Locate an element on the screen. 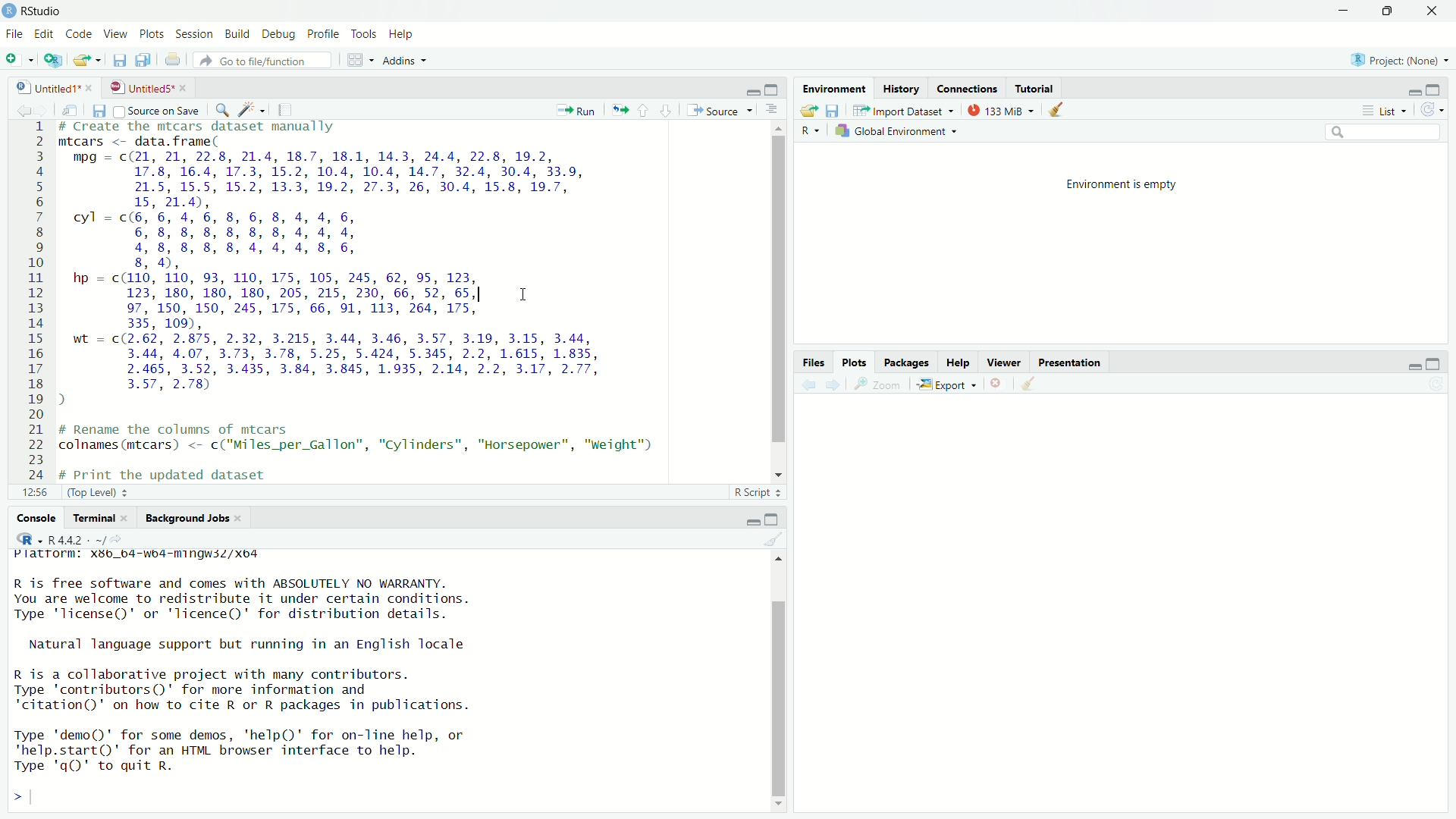  1 # Create the mtcars dataset manually

2 mtcars <- data.frame(

BE mpg = c(21, 21, 22.8, 21.4, 18.7, 18.1, 14.3, 24.4, 22.8, 19.2,

4 17.8, 16.4, 17.3, 15.2, 10.4, 10.4, 14.7, 32.4, 30.4, 33.9,
5 21.5, 15.5, 15.2, 13.3, 19.2, 27.3, 26, 30.4, 15.8, 19.7,

6 15, 21.4),

7 cyl = c(6, 6, 4, 6, 8, 6, 8, 4, 4, 6,

8 6, 8, 8, 8, 8, 8, 8, 4, 4, 4,

9 4,8,8,8,8,4,4,4,8,6,

10 8, 4),

11 hp = c(110, 110, 93, 110, 175, 105, 245, 62, 95, 123,

12 123, 180, 180, 180, 205, 215, 230, 66, 52, 65, I

13 97, 150, 150, 245, 175, 66, 91, 113, 264, 175,

14 335, 109),

15 wt = c(2.62, 2.875, 2.32, 3.215, 3.44, 3.46, 3.57, 3.19, 3.15, 3.44,
16 3.44, 4.07, 3.73, 3.78, 5.25, 5.424, 5.345, 2.2, 1.615, 1.835,
17 2.465, 3.52, 3.435, 3.84, 3.845, 1.935, 2.14, 2.2, 3.17, 2.77,
18 3.57, 2.78)

19 )

20

21 # Rename the columns of mtcars

22 colnames(mtcars) <- c("Miles_per_Gallon", "Cylinders", "Horsepower", "weight")
23

TIE ER Py, is located at coordinates (372, 299).